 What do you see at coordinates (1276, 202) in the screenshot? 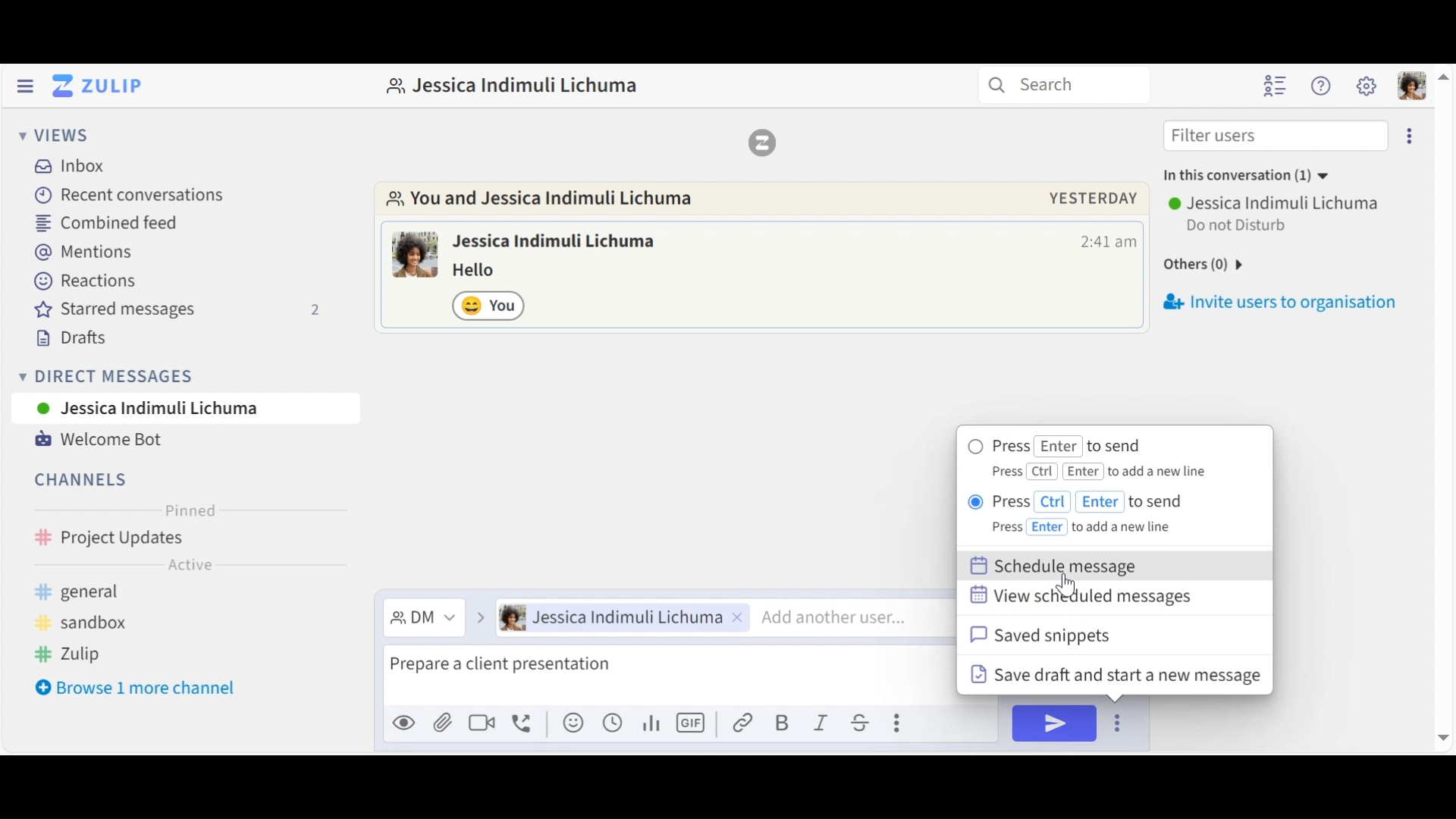
I see `Username` at bounding box center [1276, 202].